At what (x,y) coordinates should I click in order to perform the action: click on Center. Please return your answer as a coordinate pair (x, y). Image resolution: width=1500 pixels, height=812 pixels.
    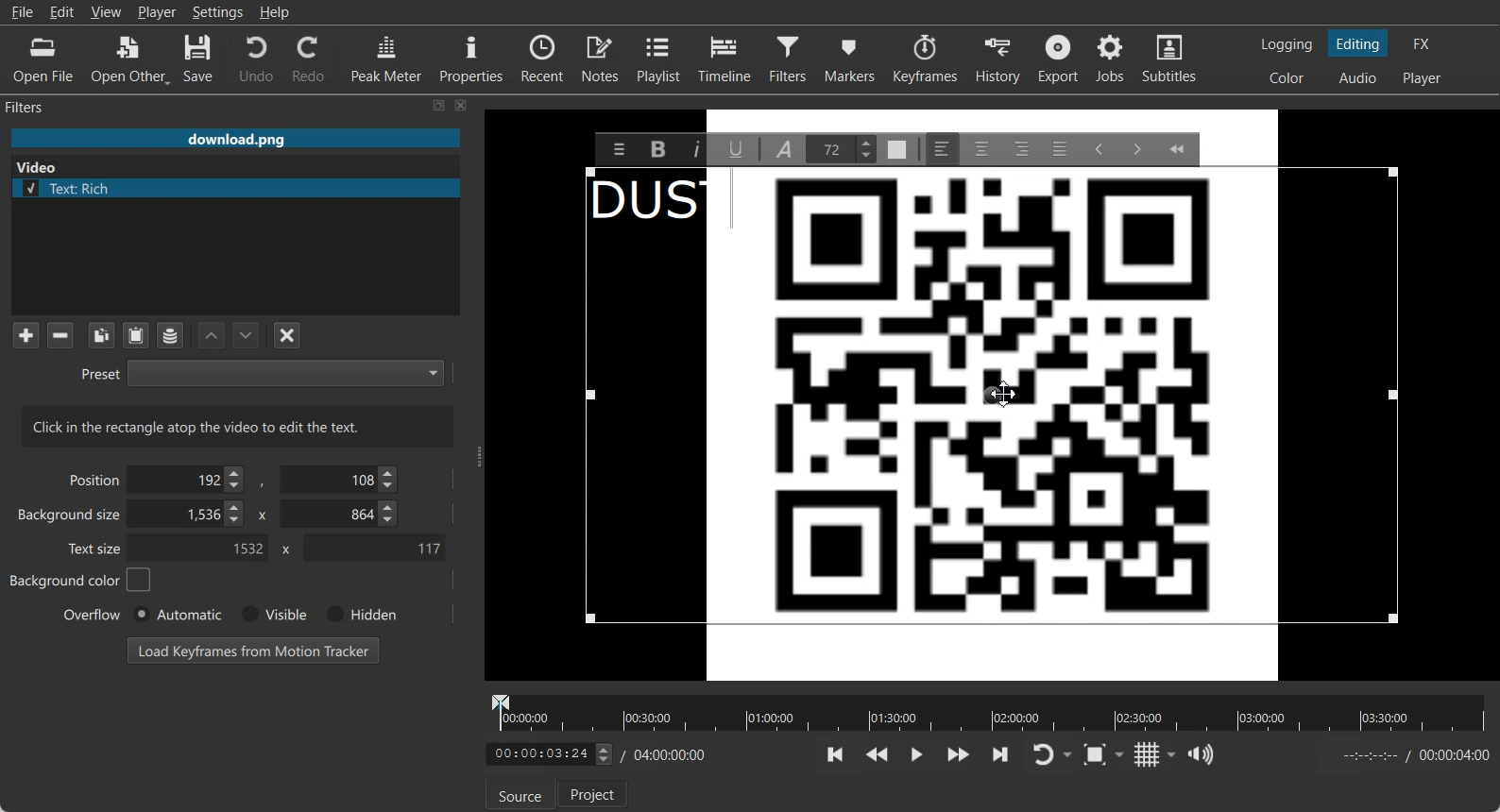
    Looking at the image, I should click on (981, 148).